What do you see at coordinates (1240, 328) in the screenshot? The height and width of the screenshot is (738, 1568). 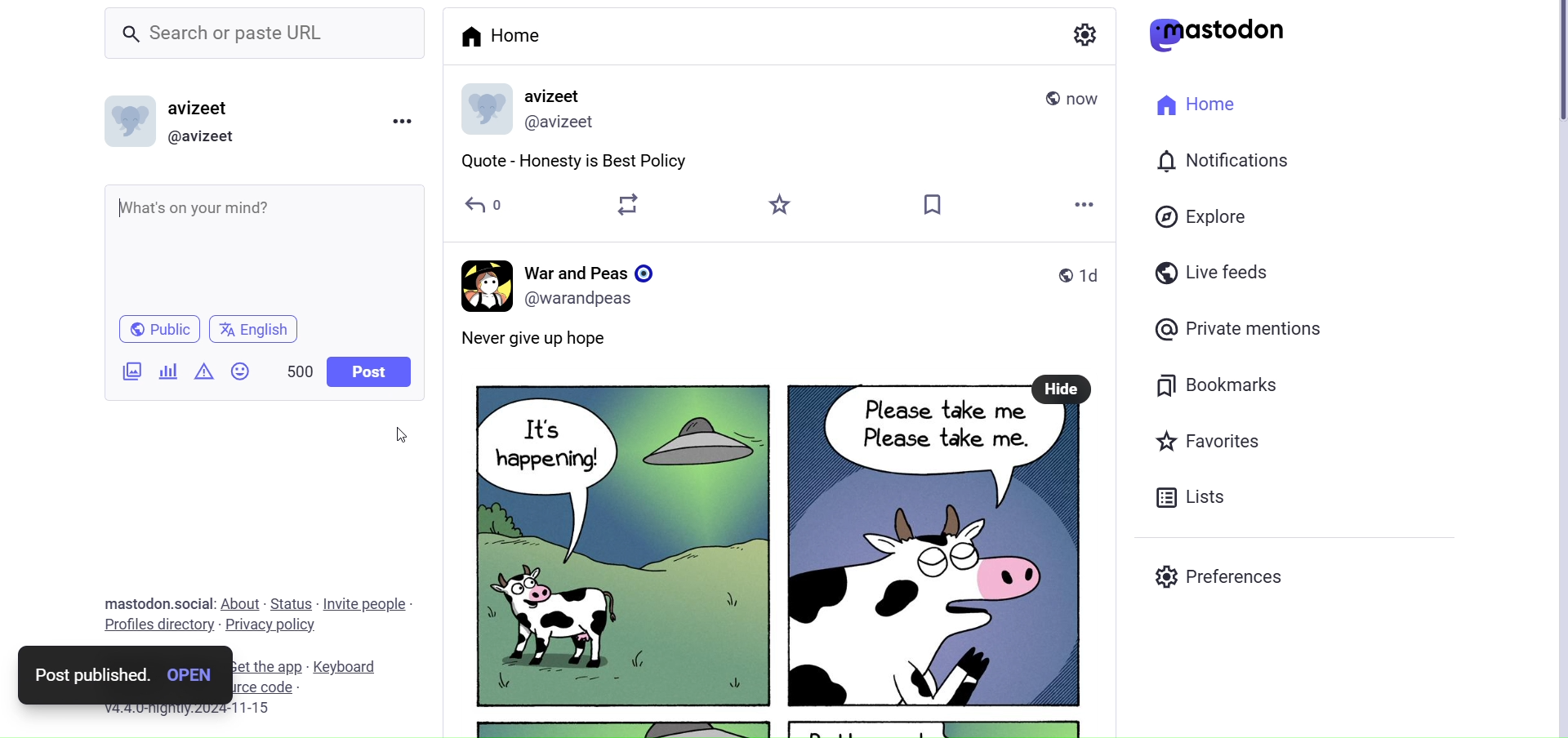 I see `Private Mentions` at bounding box center [1240, 328].